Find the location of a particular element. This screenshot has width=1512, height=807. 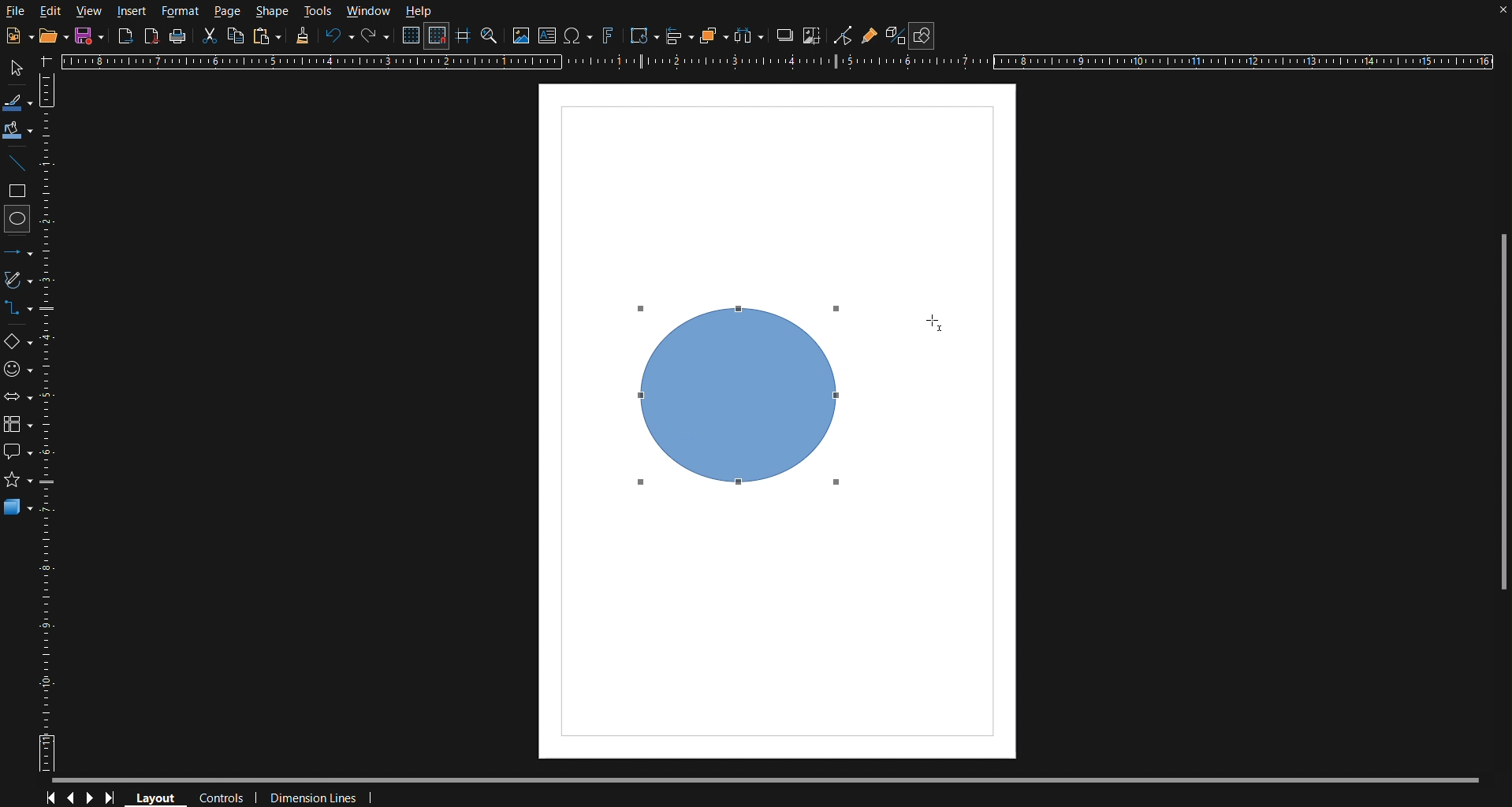

Toggle Extrusion is located at coordinates (895, 36).